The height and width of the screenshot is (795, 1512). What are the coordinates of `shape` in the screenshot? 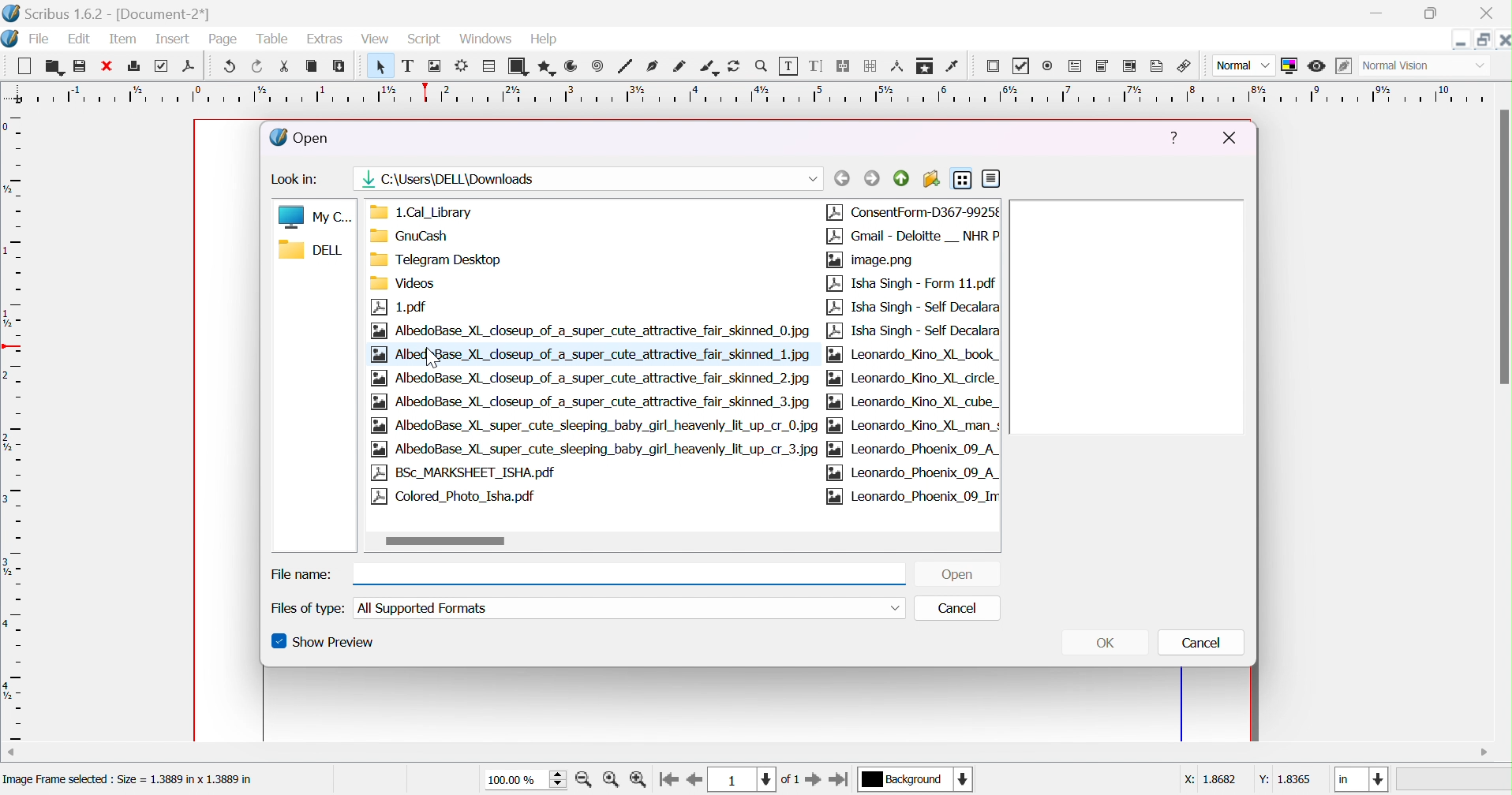 It's located at (517, 66).